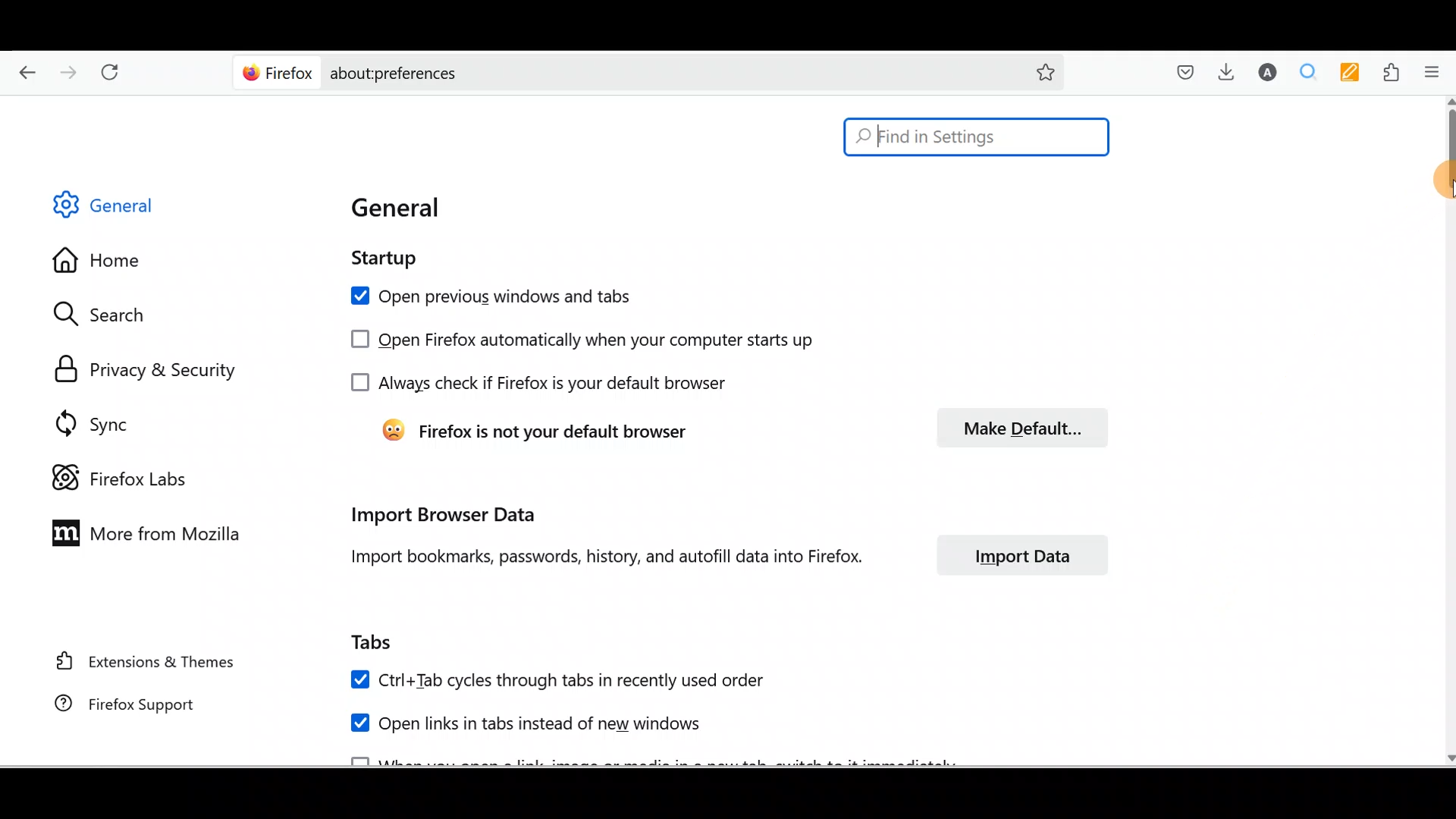  Describe the element at coordinates (602, 560) in the screenshot. I see `Import bookmarks, passwords, history and autofill data into Firefox.` at that location.